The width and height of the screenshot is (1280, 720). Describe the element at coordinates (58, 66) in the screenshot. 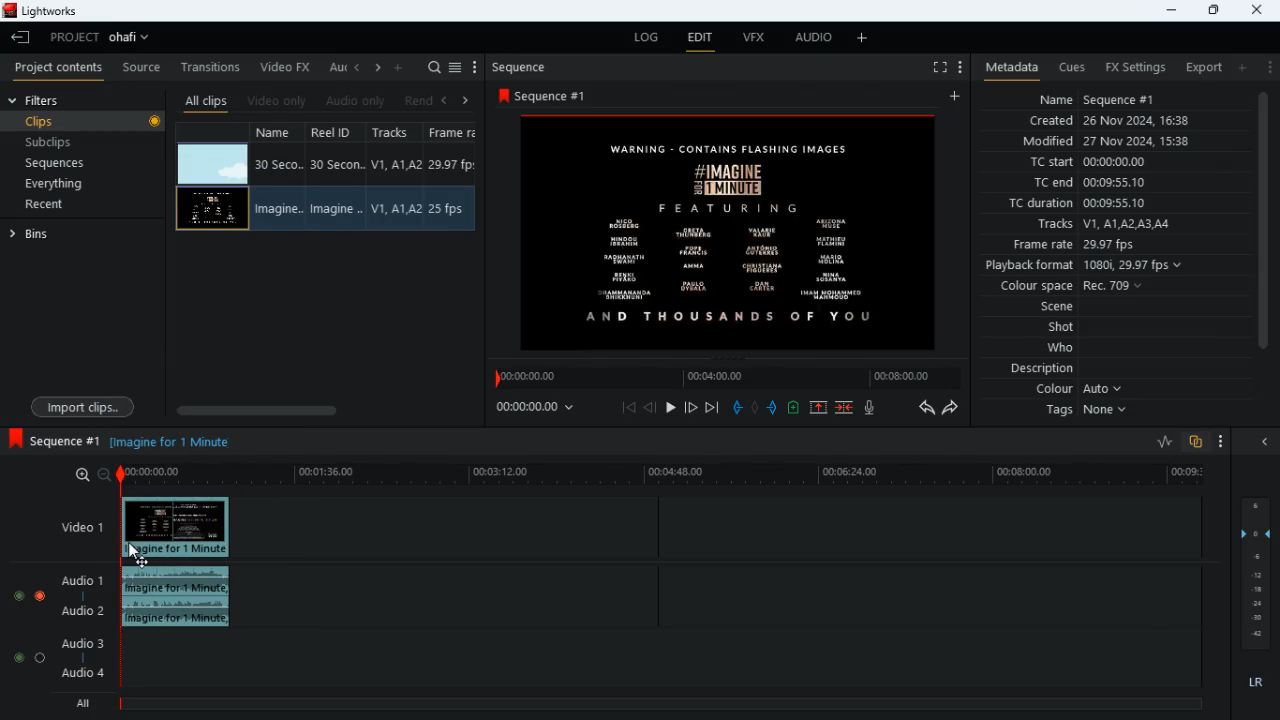

I see `project contents` at that location.